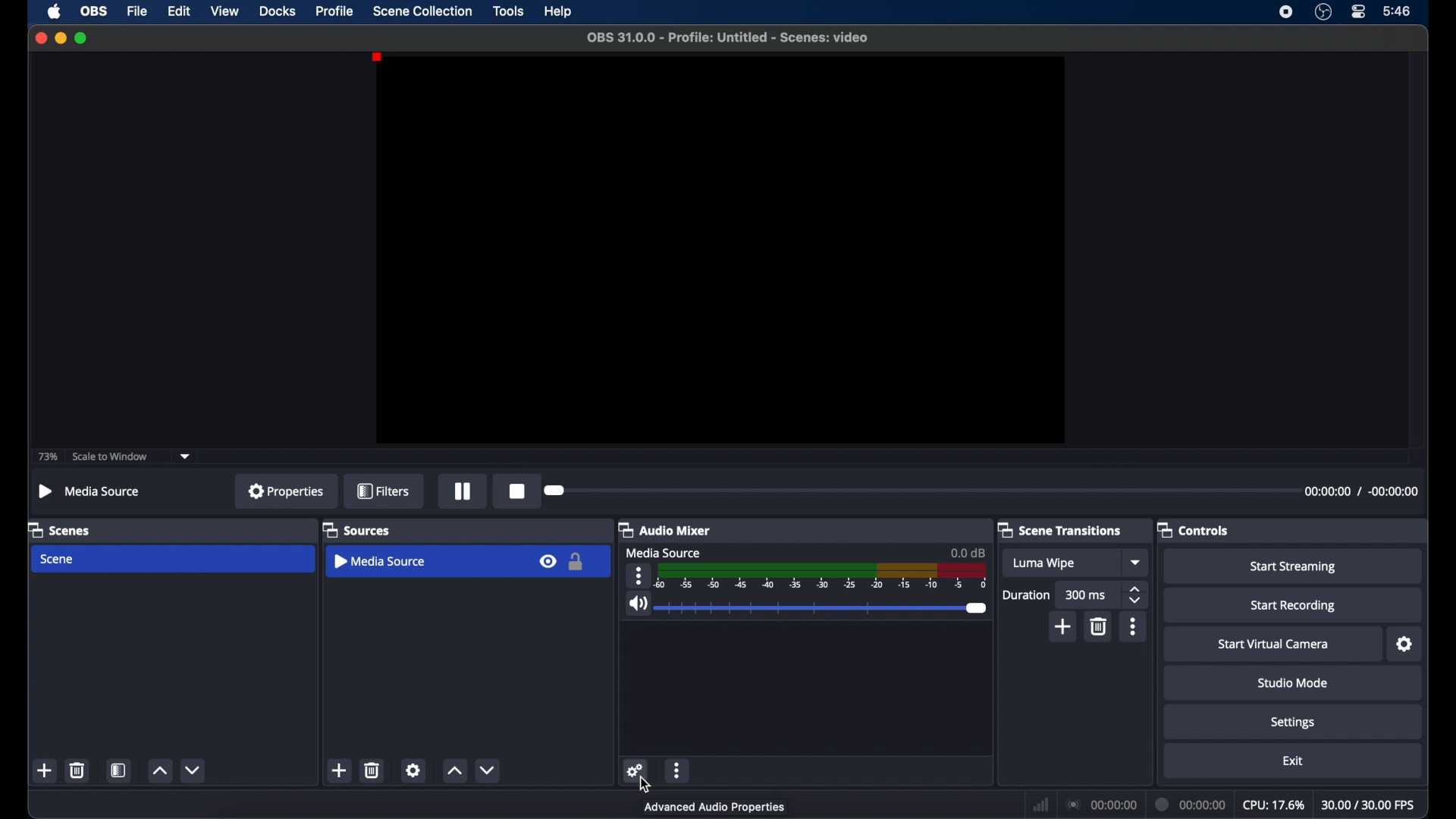 The width and height of the screenshot is (1456, 819). What do you see at coordinates (119, 770) in the screenshot?
I see `scene filters` at bounding box center [119, 770].